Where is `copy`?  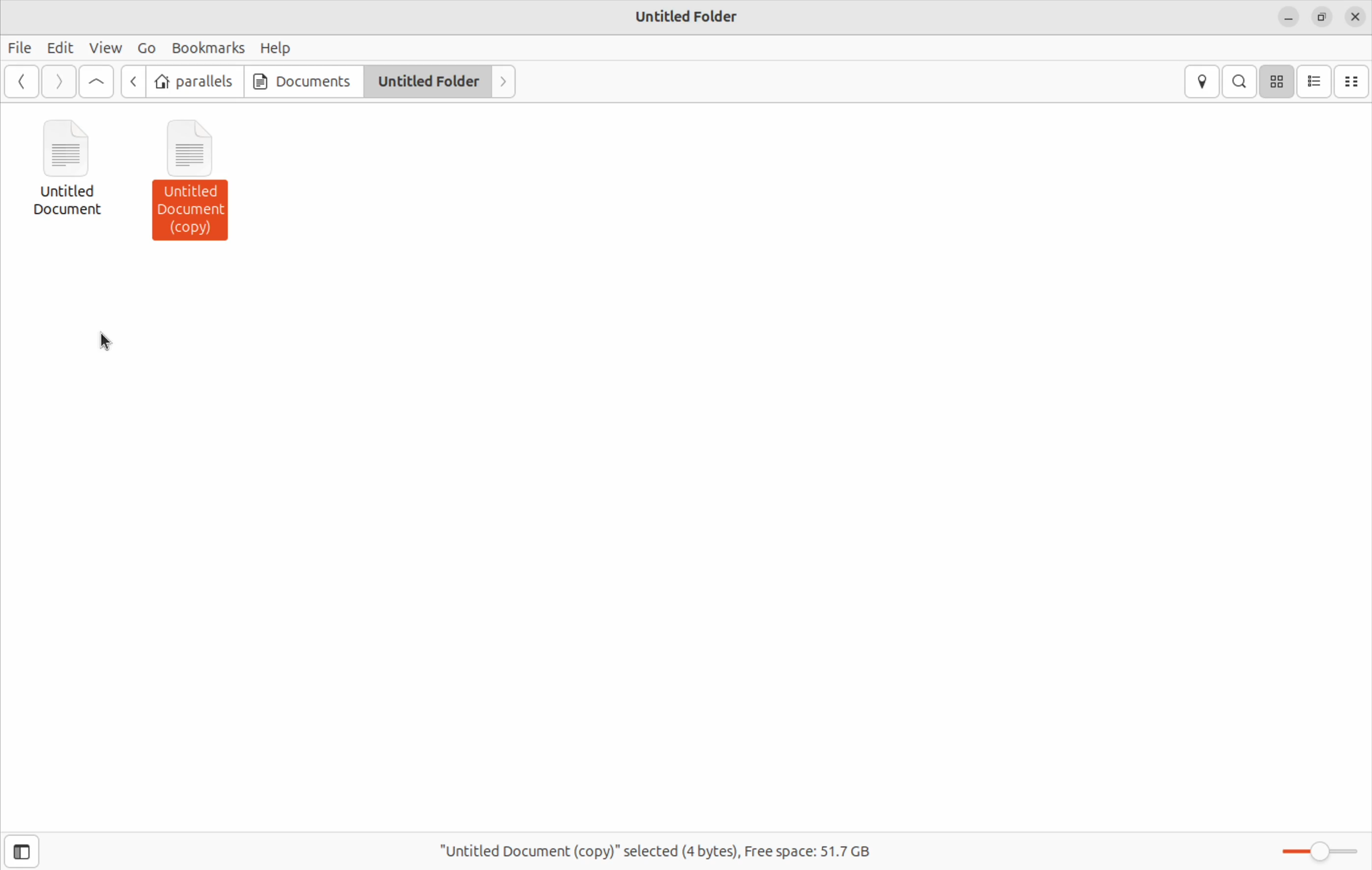 copy is located at coordinates (1322, 19).